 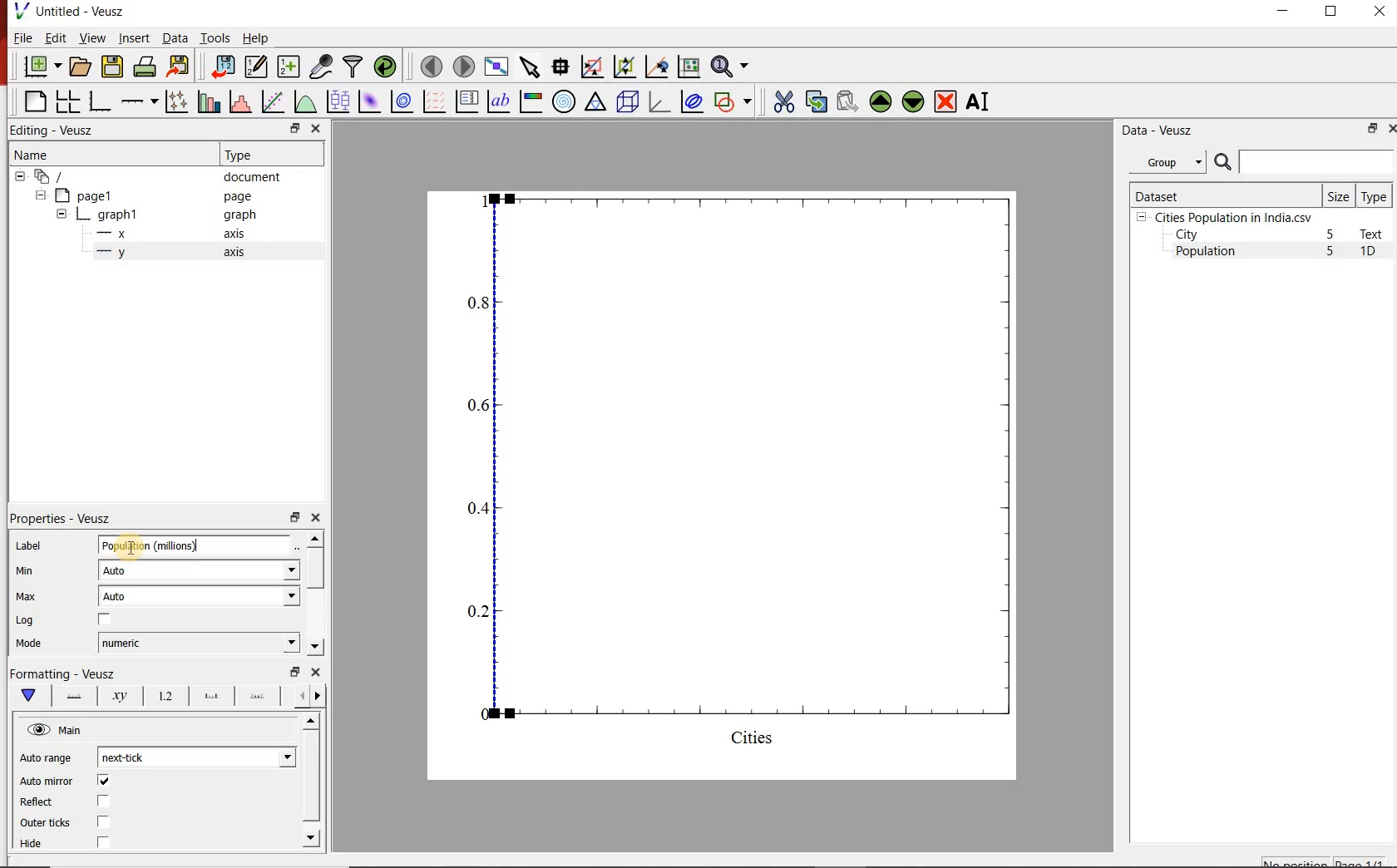 What do you see at coordinates (153, 175) in the screenshot?
I see `document` at bounding box center [153, 175].